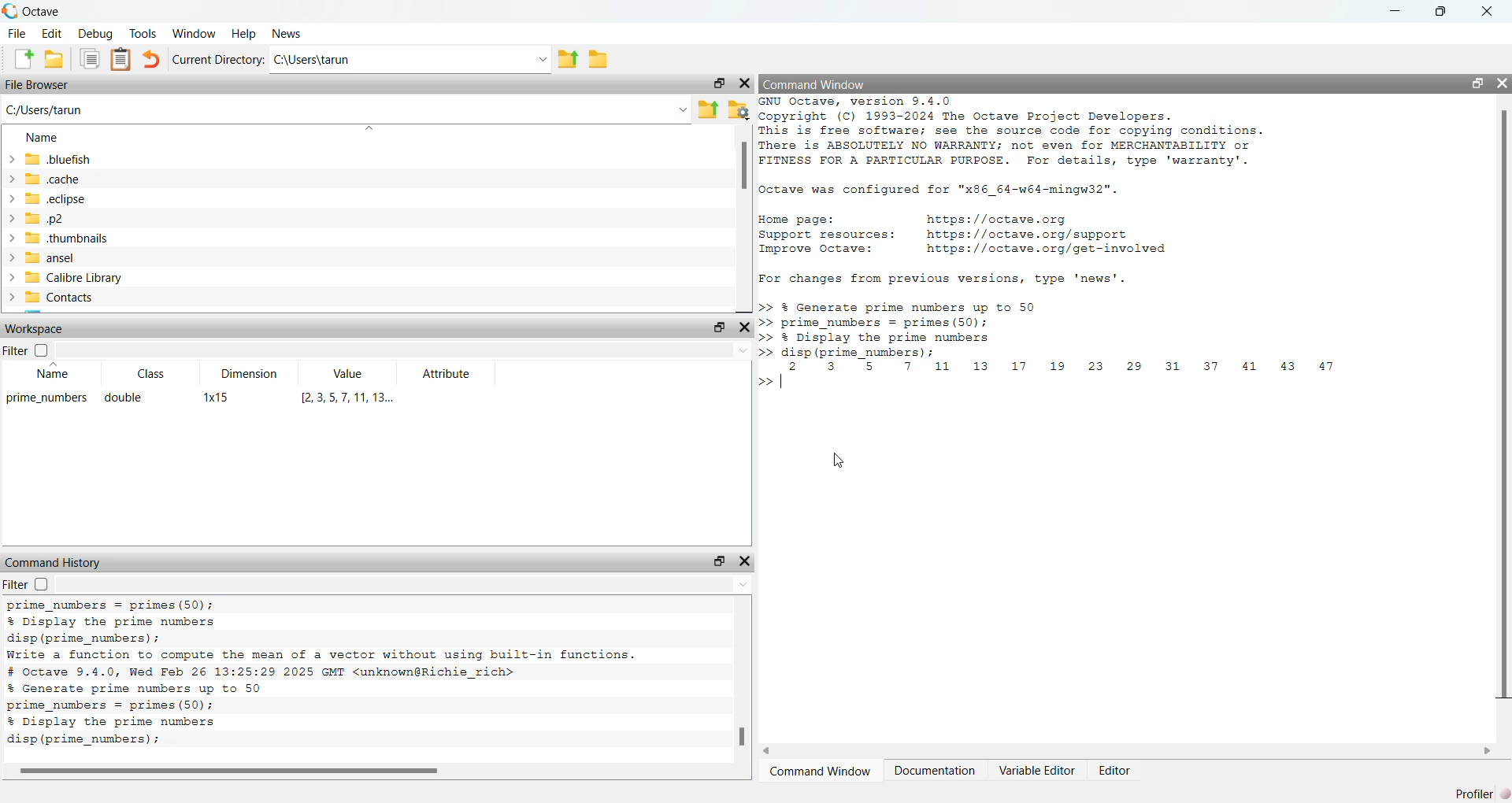  Describe the element at coordinates (46, 111) in the screenshot. I see `C;/Users/tarun` at that location.